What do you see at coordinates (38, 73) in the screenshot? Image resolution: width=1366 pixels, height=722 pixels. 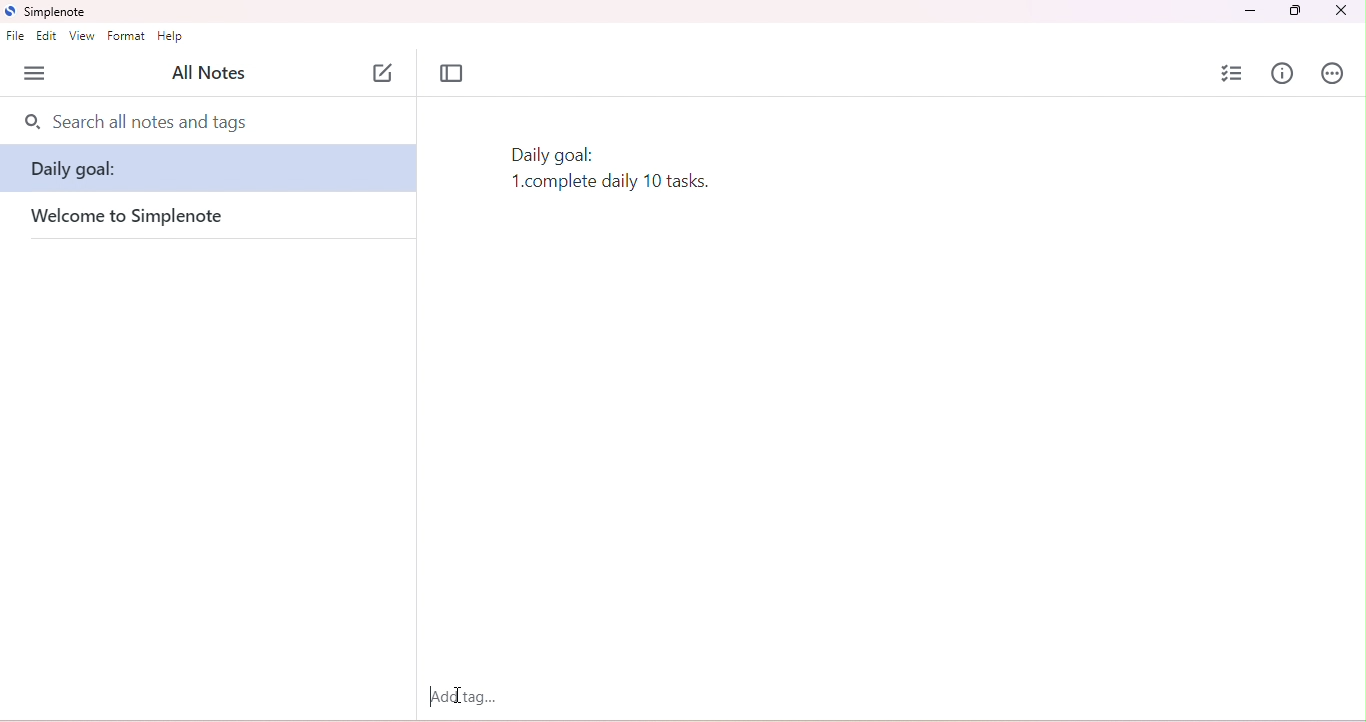 I see `menu` at bounding box center [38, 73].